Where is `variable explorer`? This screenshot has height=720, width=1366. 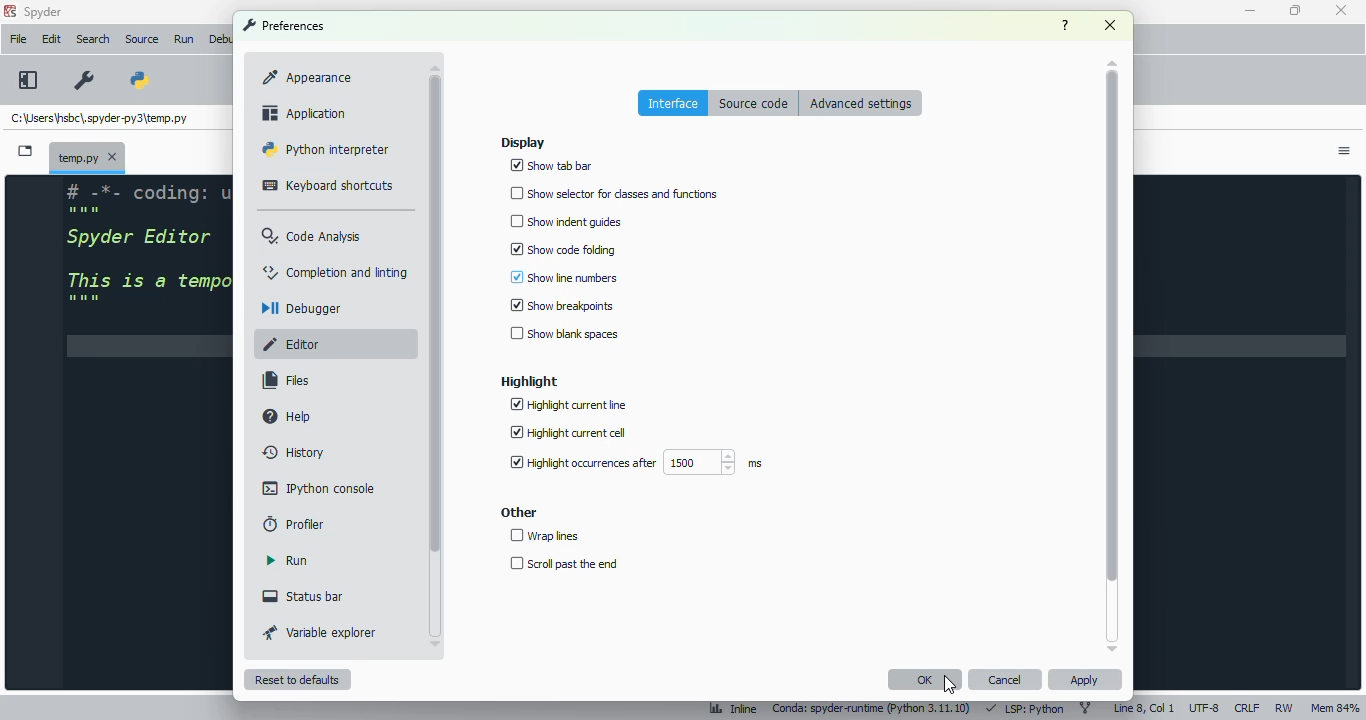 variable explorer is located at coordinates (320, 633).